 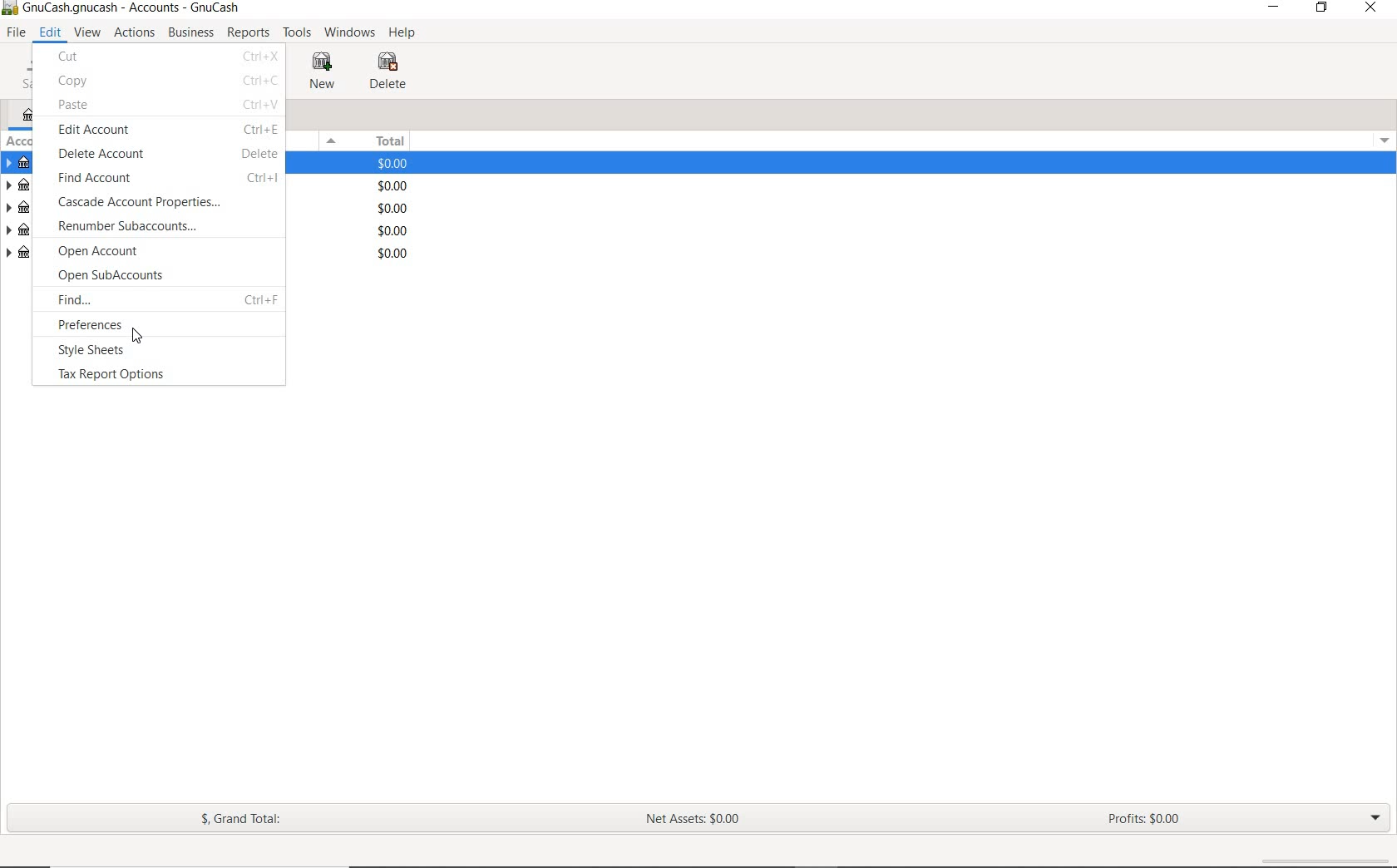 I want to click on EDIT ACCOUNT, so click(x=165, y=131).